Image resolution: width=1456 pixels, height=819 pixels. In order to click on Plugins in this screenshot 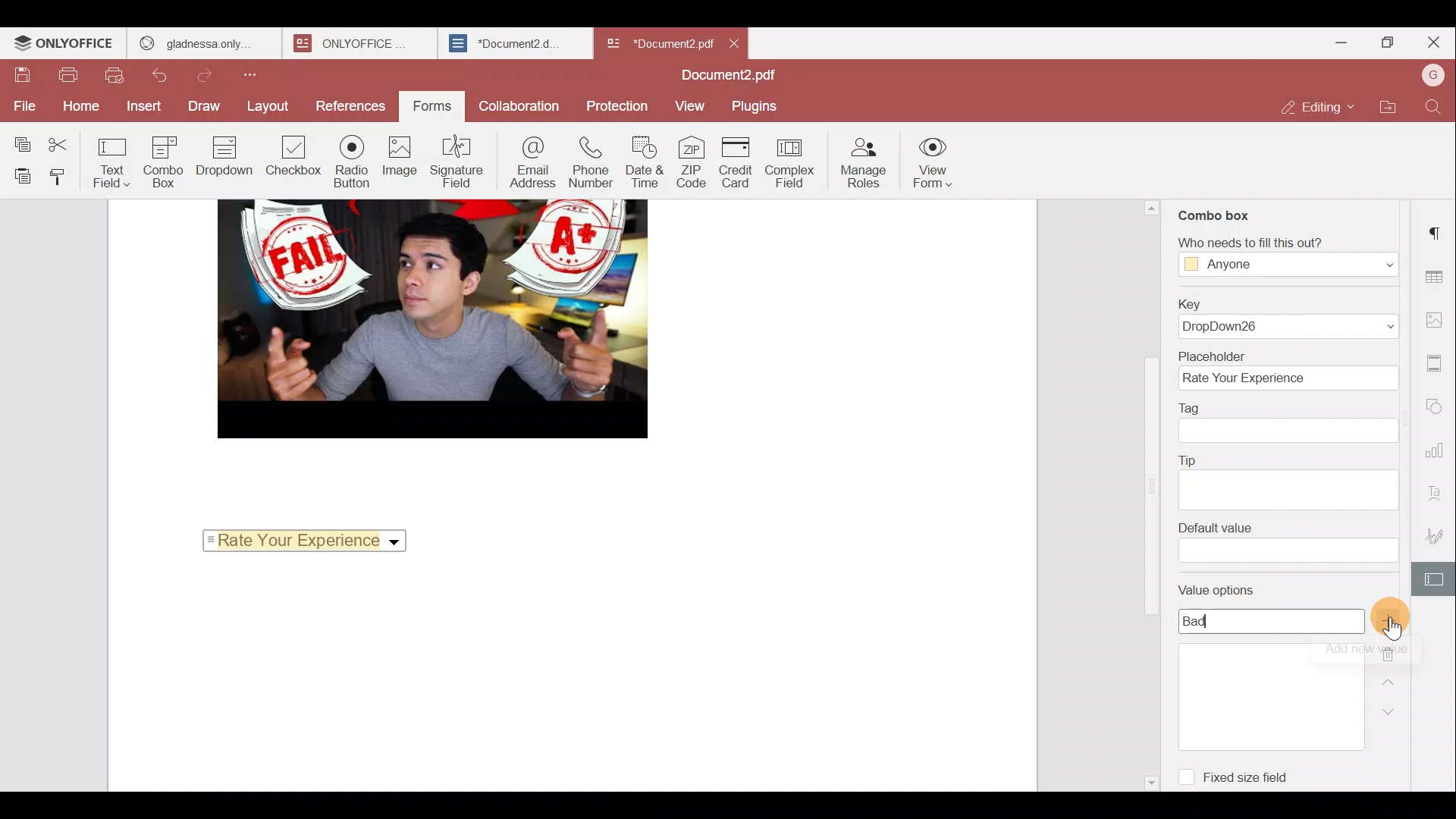, I will do `click(757, 106)`.